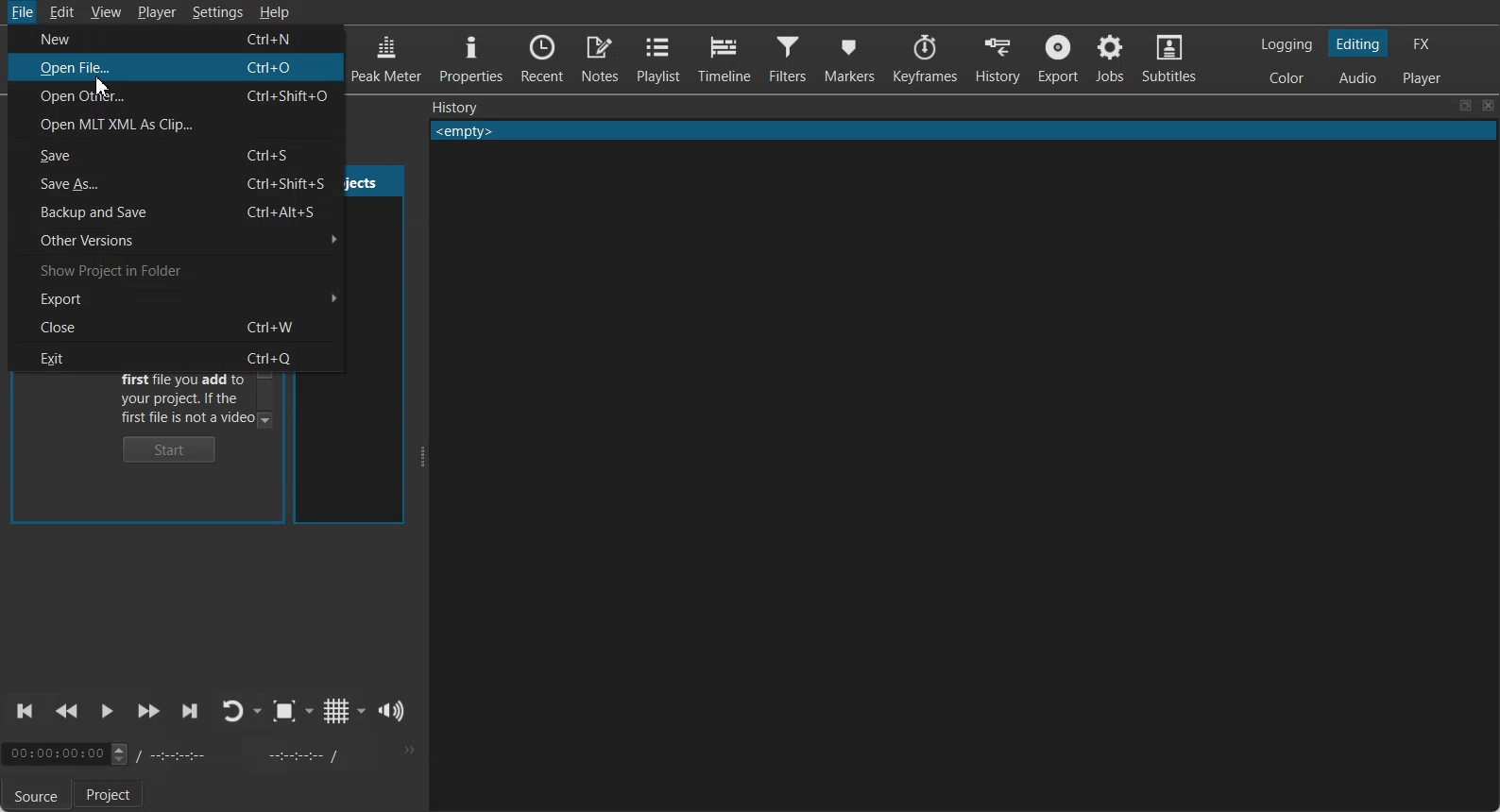 This screenshot has width=1500, height=812. Describe the element at coordinates (1465, 106) in the screenshot. I see `Maximize` at that location.